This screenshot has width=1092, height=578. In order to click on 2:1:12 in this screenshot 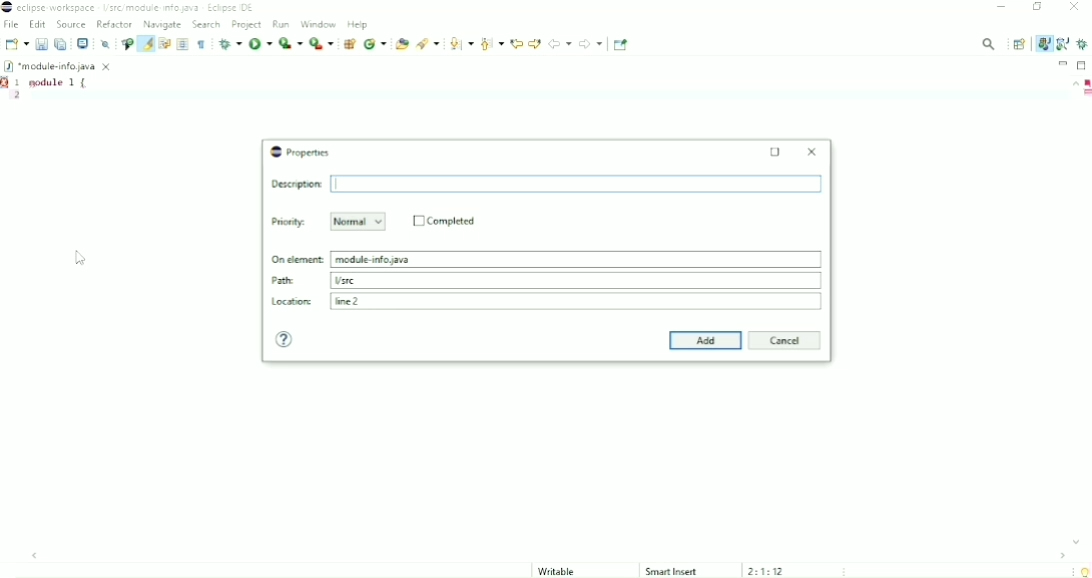, I will do `click(767, 571)`.